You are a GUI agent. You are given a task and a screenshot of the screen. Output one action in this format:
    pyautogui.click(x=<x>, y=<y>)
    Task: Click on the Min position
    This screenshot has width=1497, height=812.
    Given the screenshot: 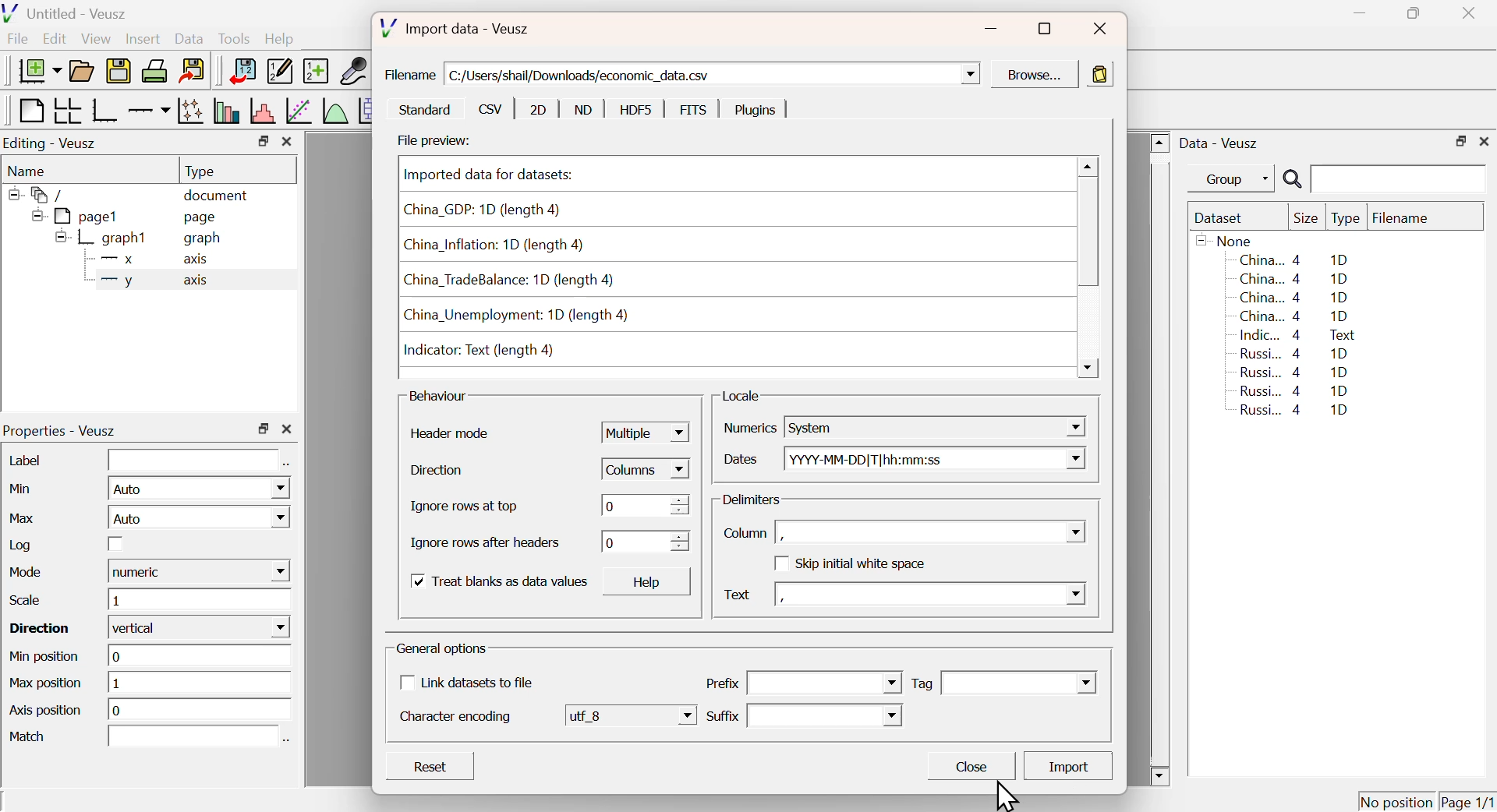 What is the action you would take?
    pyautogui.click(x=47, y=657)
    